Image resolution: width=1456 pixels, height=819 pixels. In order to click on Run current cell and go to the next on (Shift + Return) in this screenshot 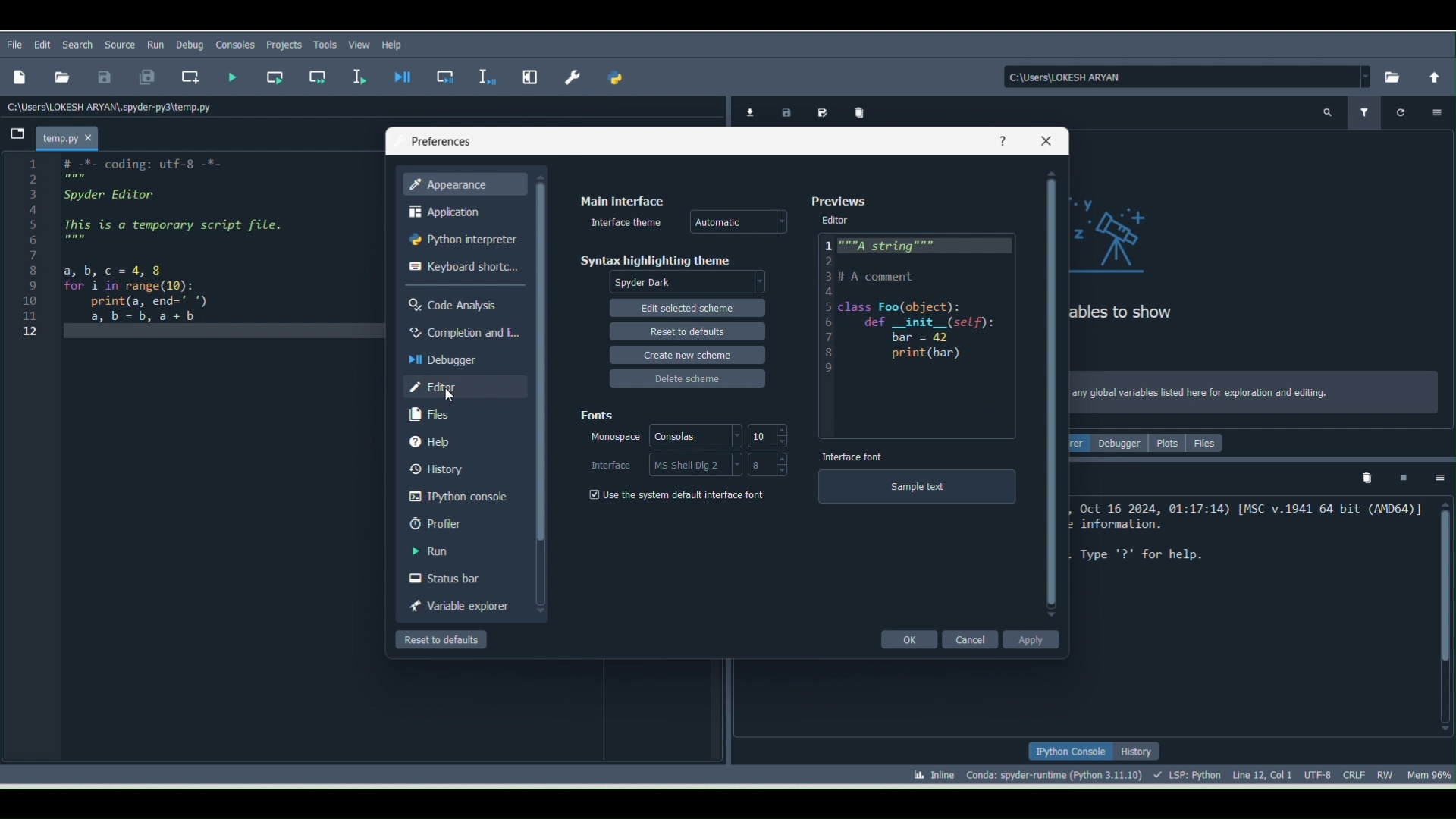, I will do `click(318, 76)`.